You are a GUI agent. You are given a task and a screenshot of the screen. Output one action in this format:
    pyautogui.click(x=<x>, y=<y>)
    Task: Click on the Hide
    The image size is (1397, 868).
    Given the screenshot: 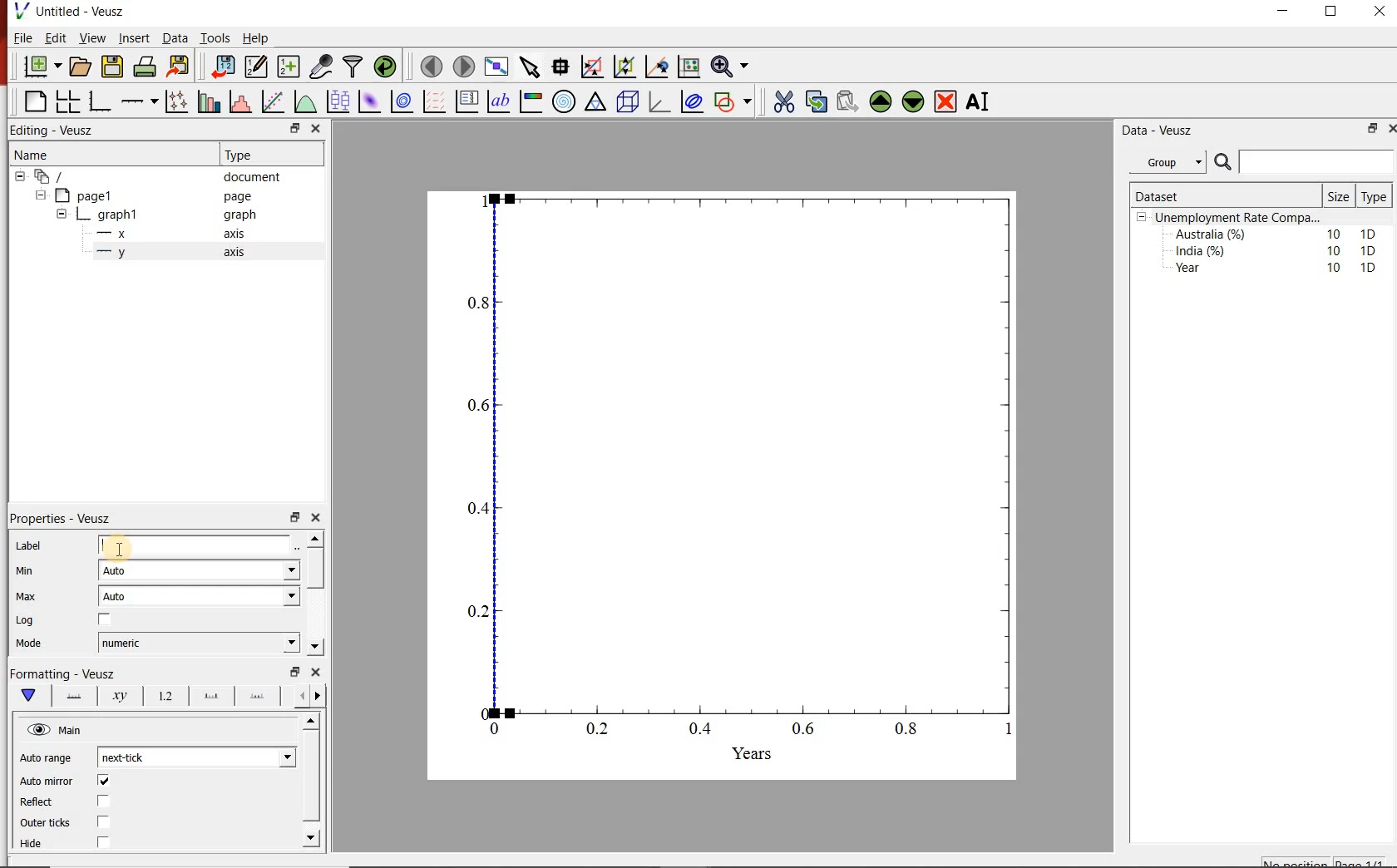 What is the action you would take?
    pyautogui.click(x=32, y=843)
    